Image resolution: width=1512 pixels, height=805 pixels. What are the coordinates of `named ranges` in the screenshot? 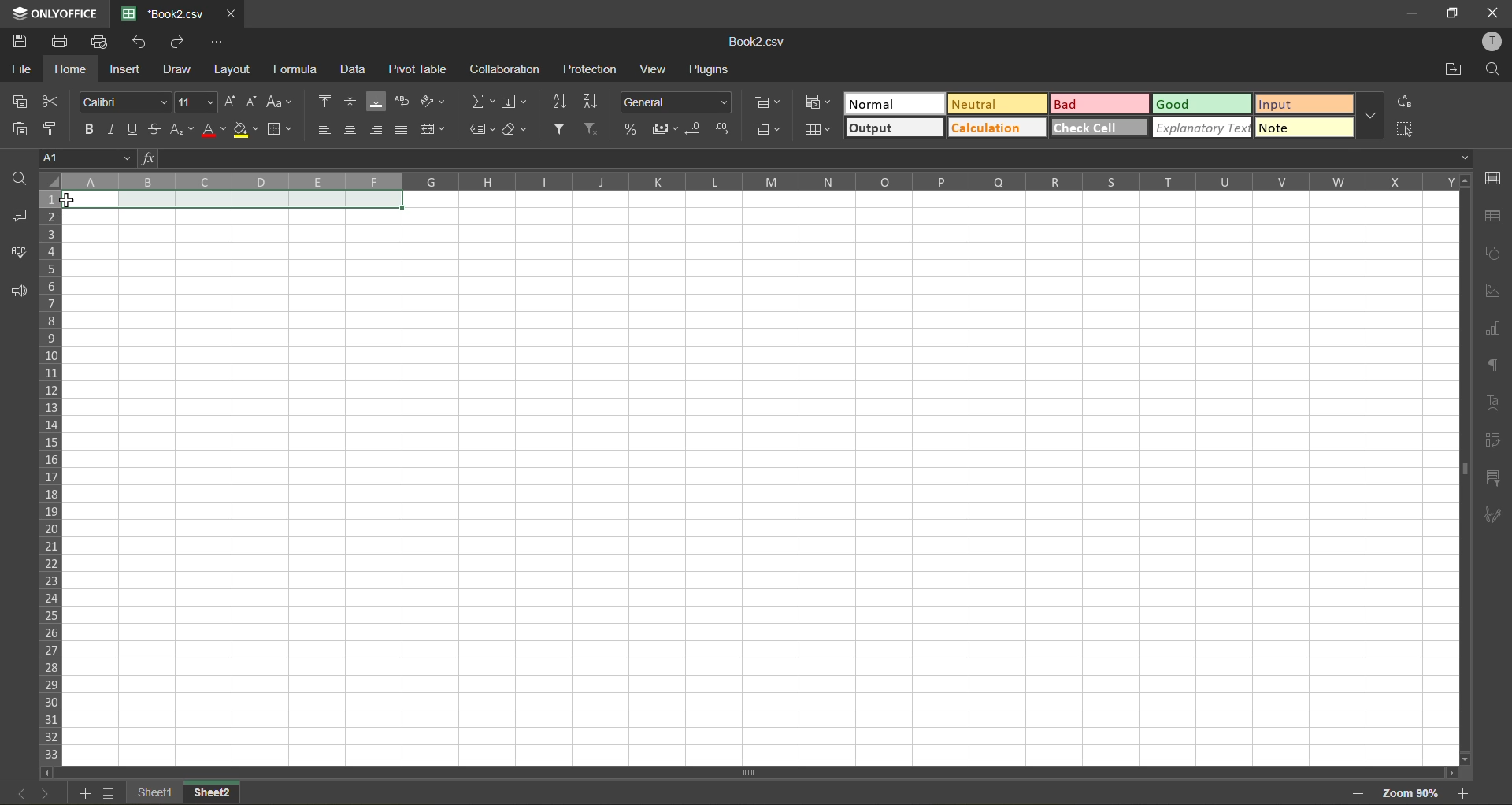 It's located at (482, 128).